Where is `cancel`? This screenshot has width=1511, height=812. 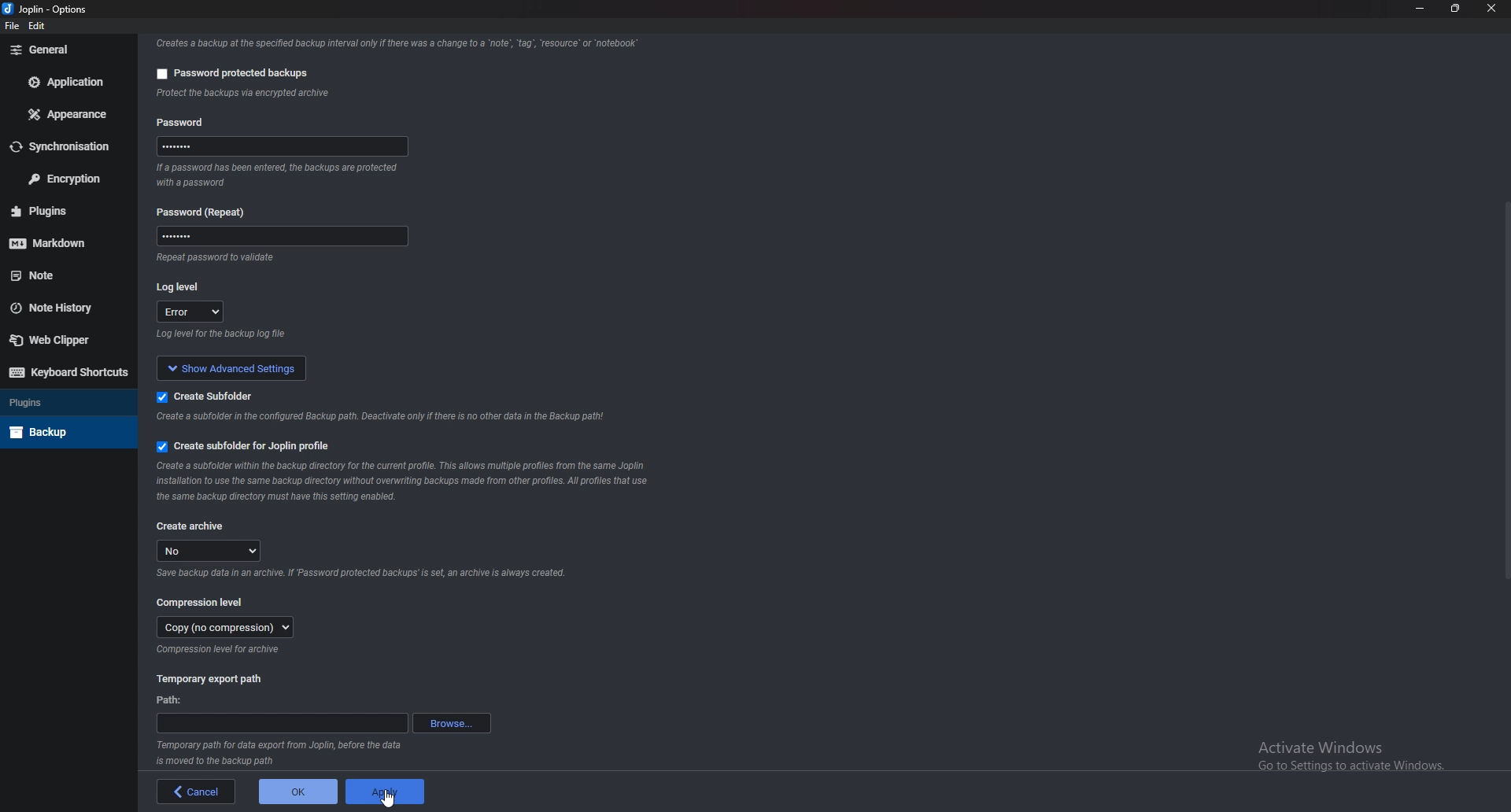
cancel is located at coordinates (192, 792).